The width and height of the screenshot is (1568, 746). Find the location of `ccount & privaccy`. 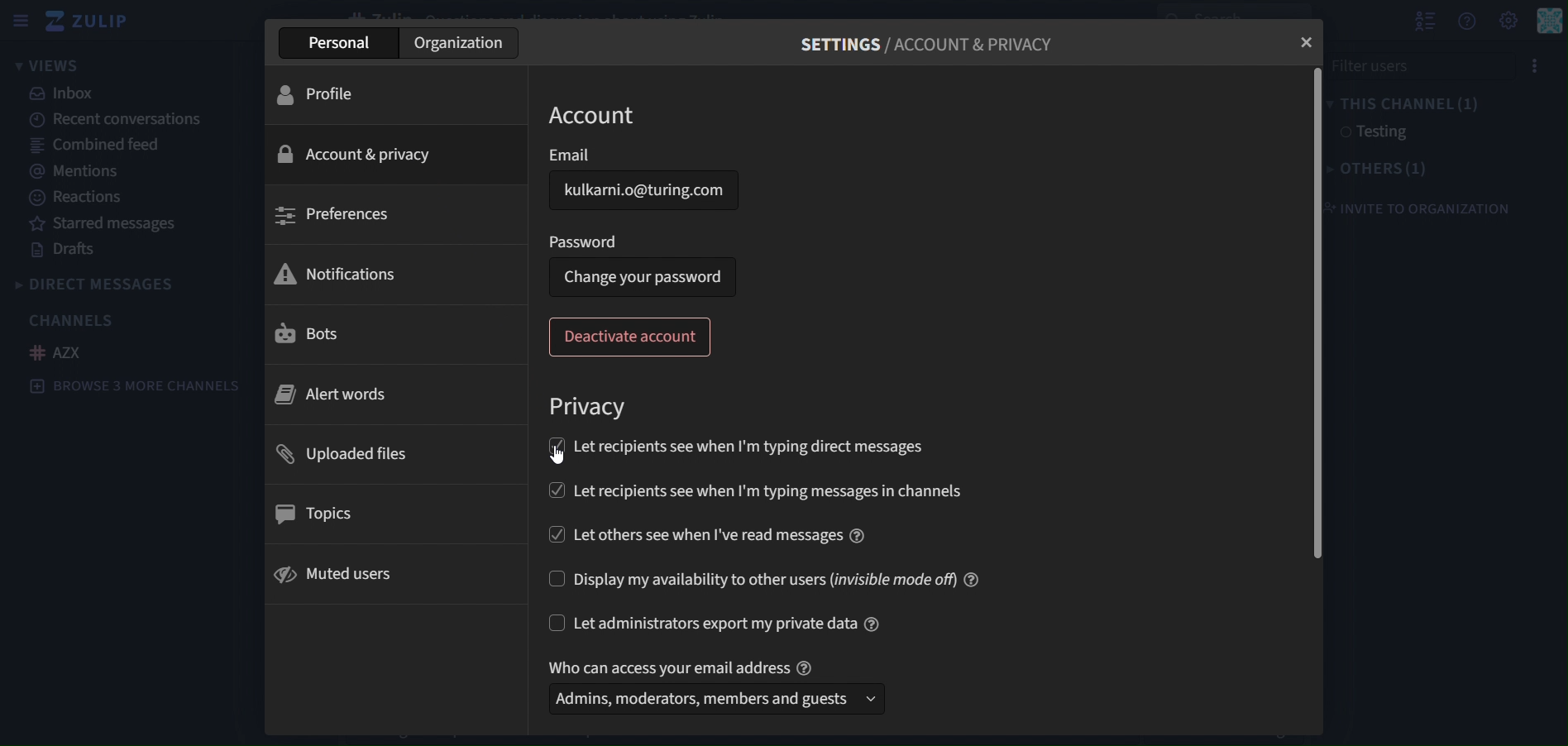

ccount & privaccy is located at coordinates (358, 155).